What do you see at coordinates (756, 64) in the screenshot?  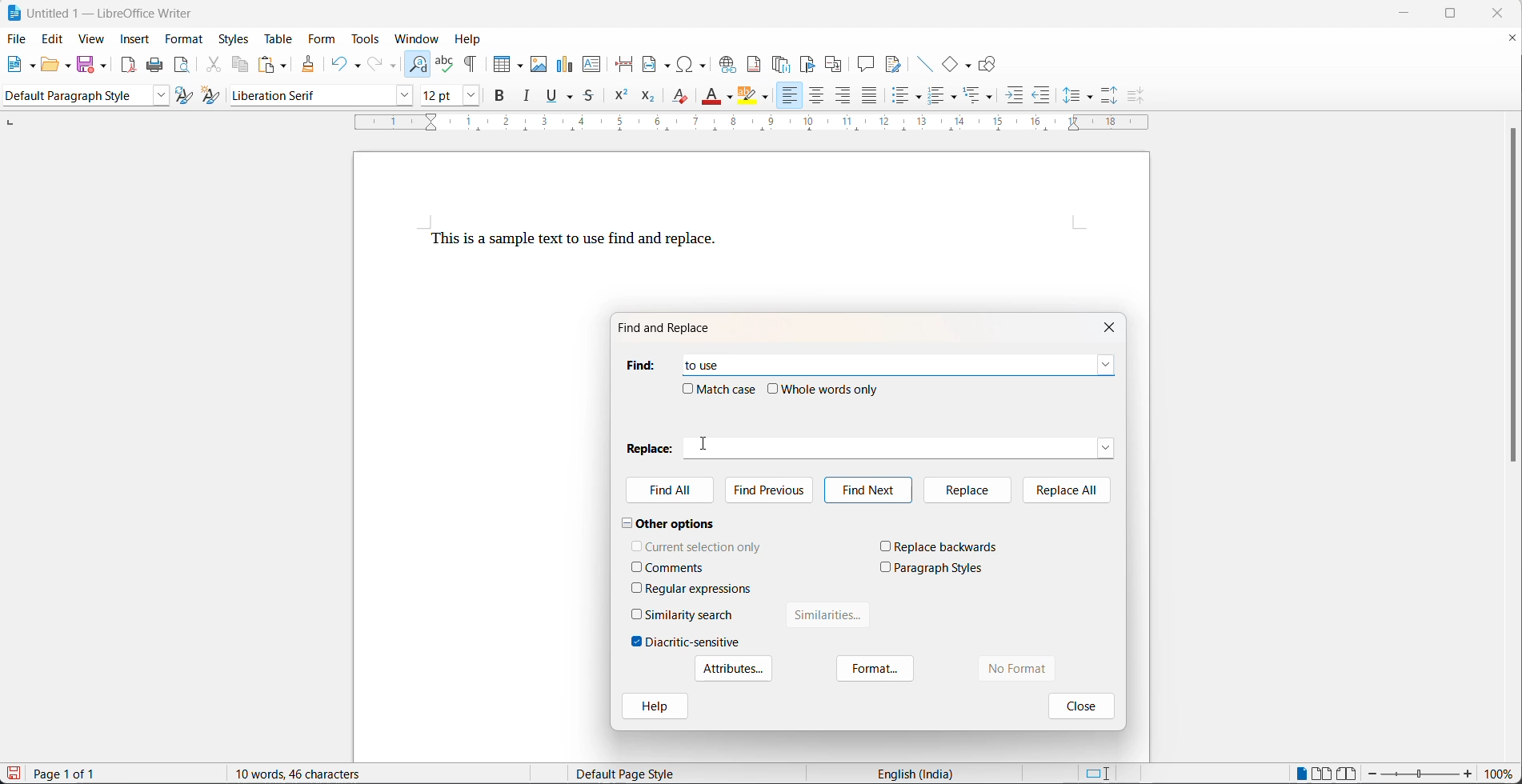 I see `insert footnote` at bounding box center [756, 64].